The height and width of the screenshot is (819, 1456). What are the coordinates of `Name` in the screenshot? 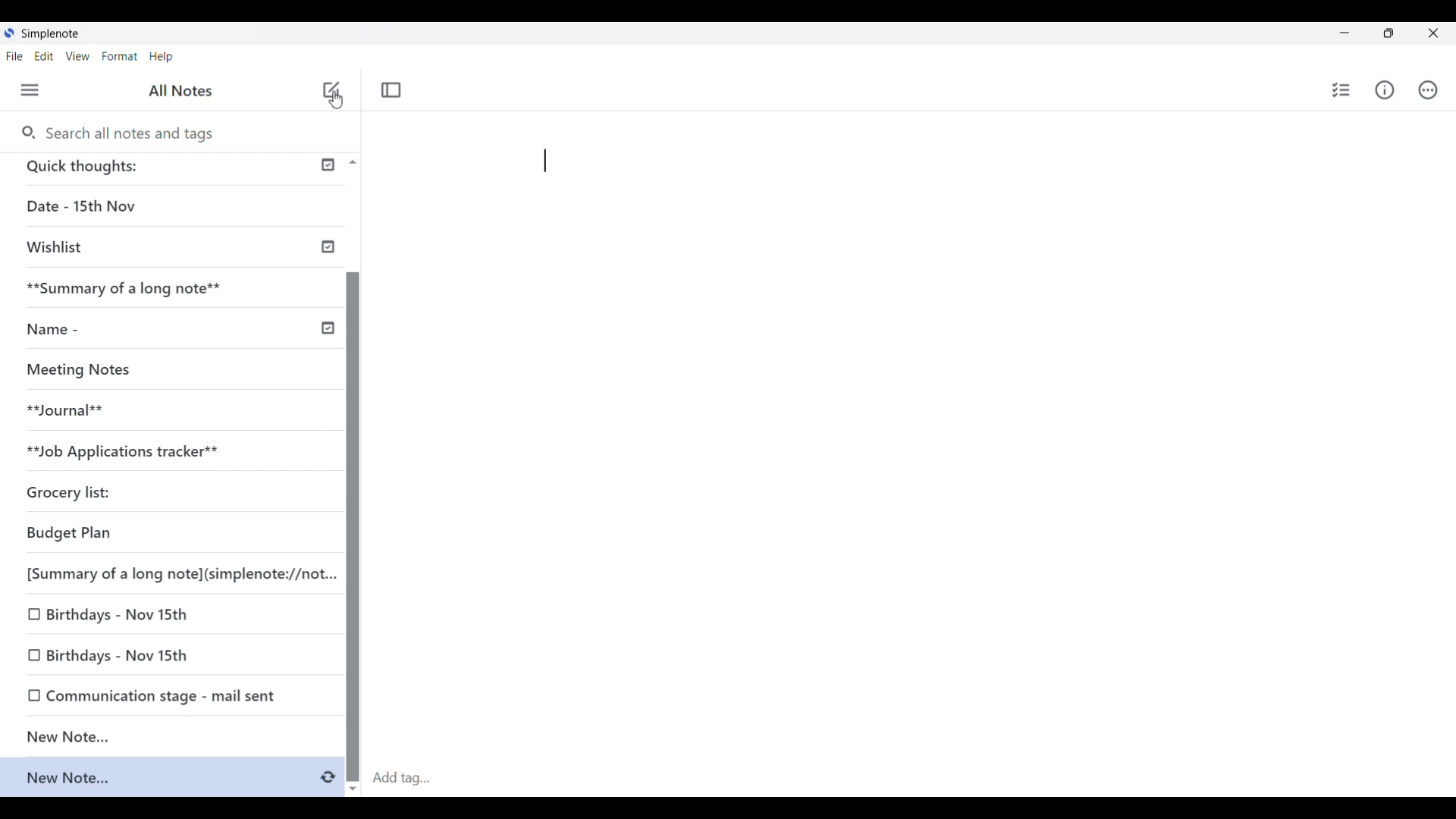 It's located at (123, 331).